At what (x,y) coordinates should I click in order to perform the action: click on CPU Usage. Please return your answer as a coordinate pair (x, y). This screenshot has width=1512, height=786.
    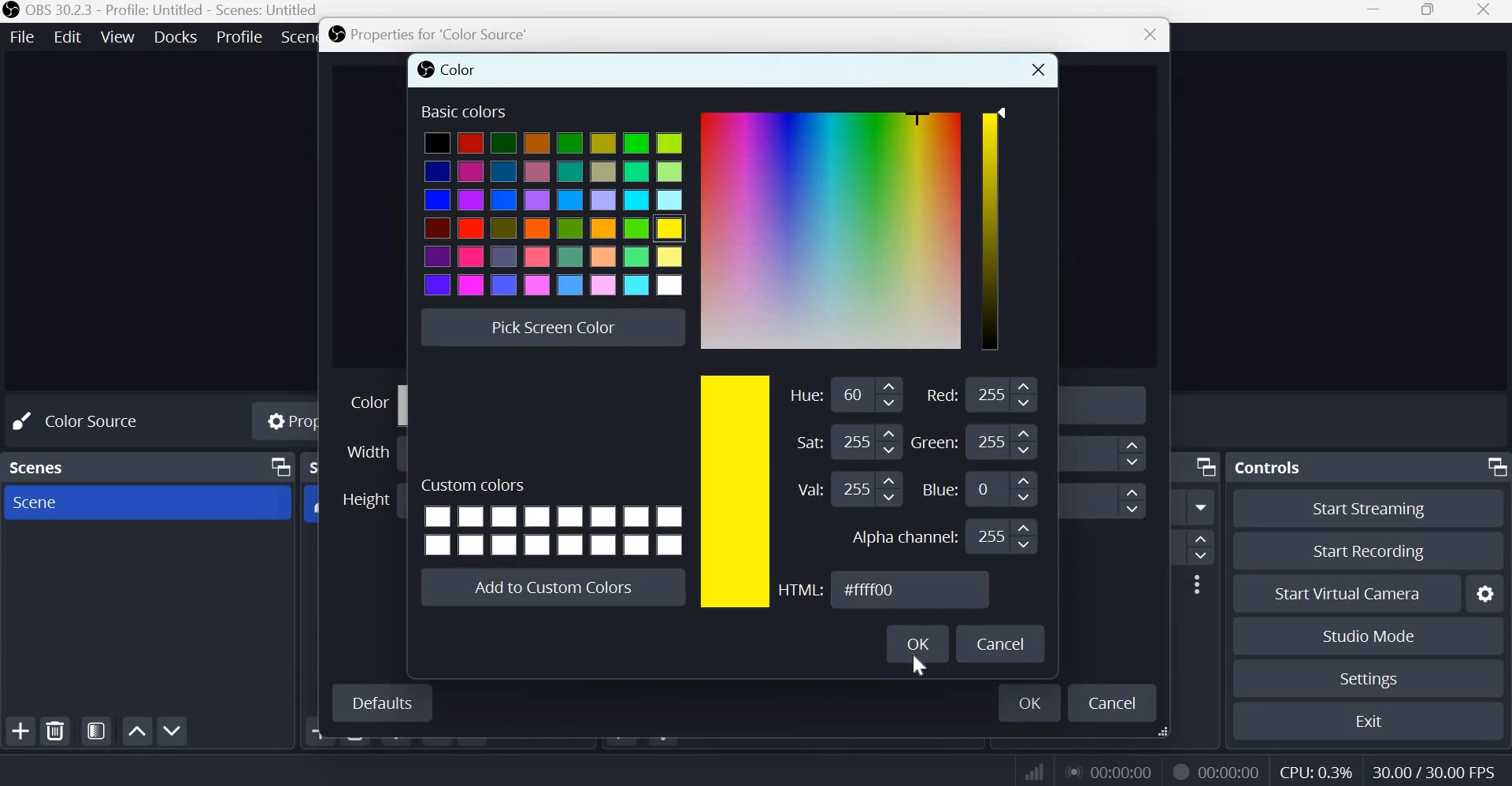
    Looking at the image, I should click on (1314, 773).